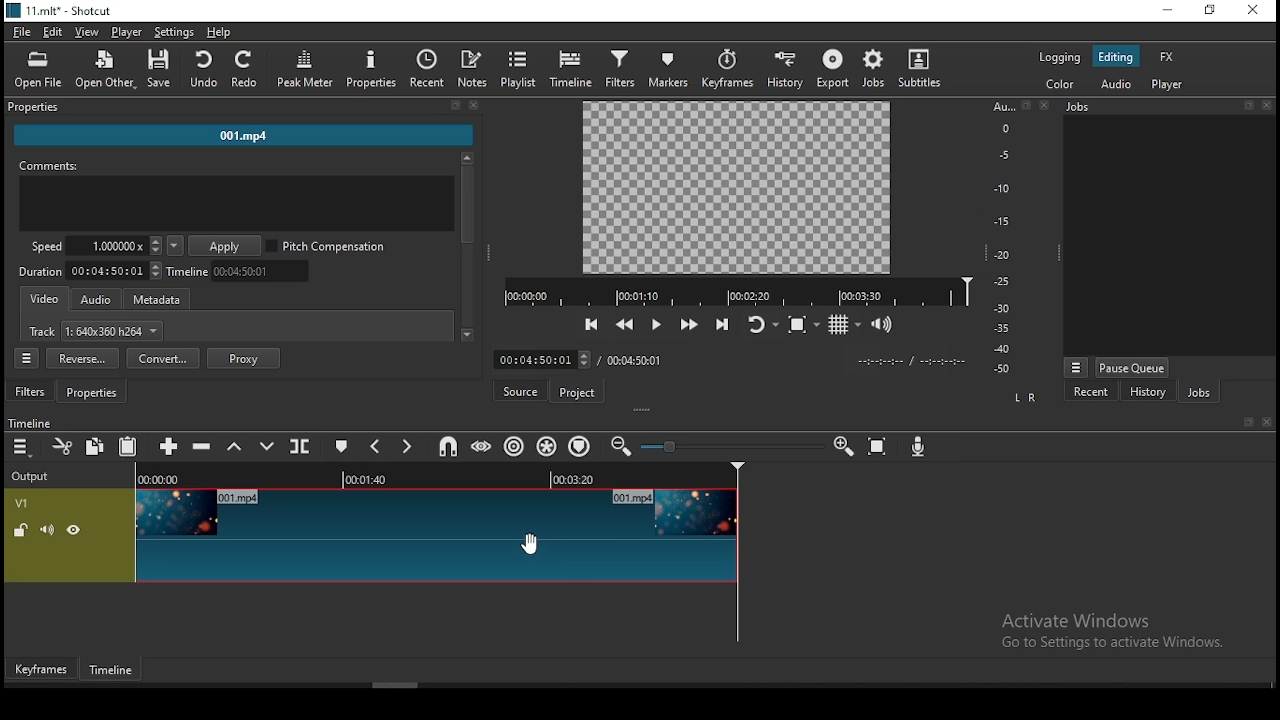  What do you see at coordinates (549, 446) in the screenshot?
I see `ripple all tracks` at bounding box center [549, 446].